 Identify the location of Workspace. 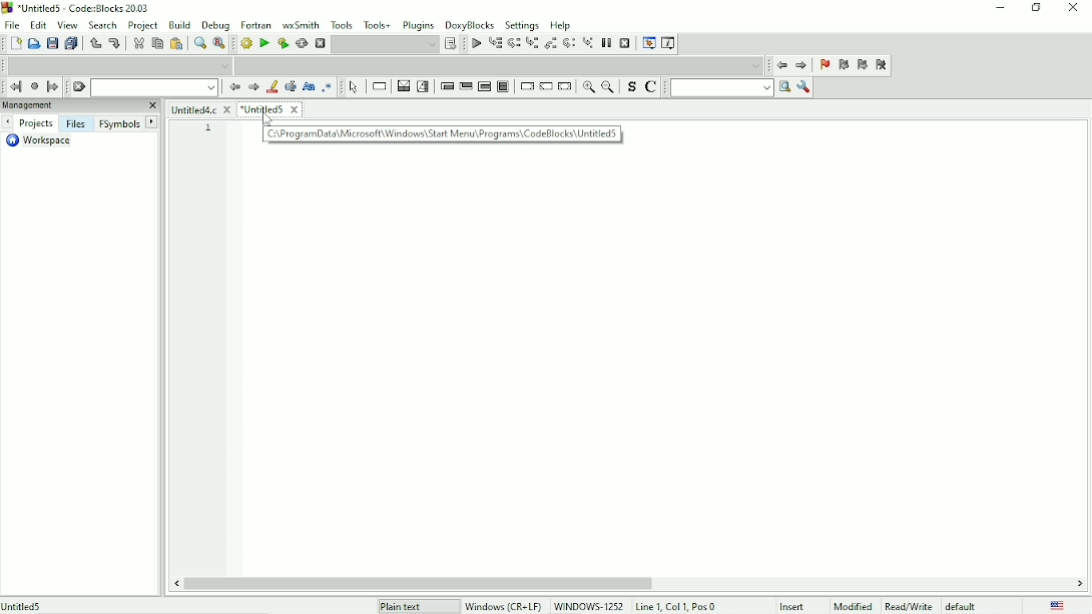
(46, 142).